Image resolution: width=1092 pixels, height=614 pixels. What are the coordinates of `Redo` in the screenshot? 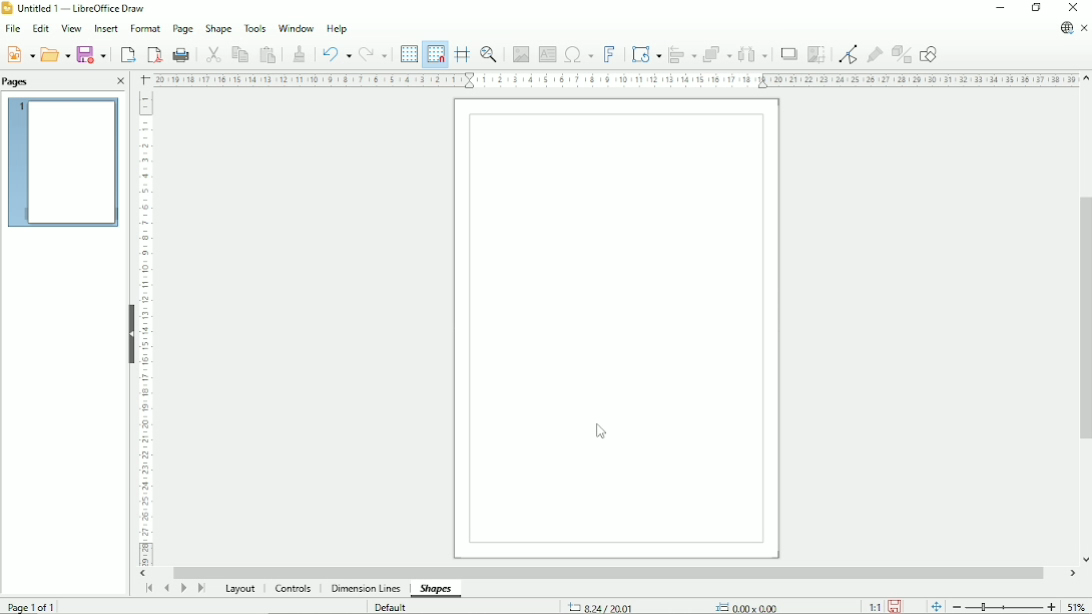 It's located at (374, 54).